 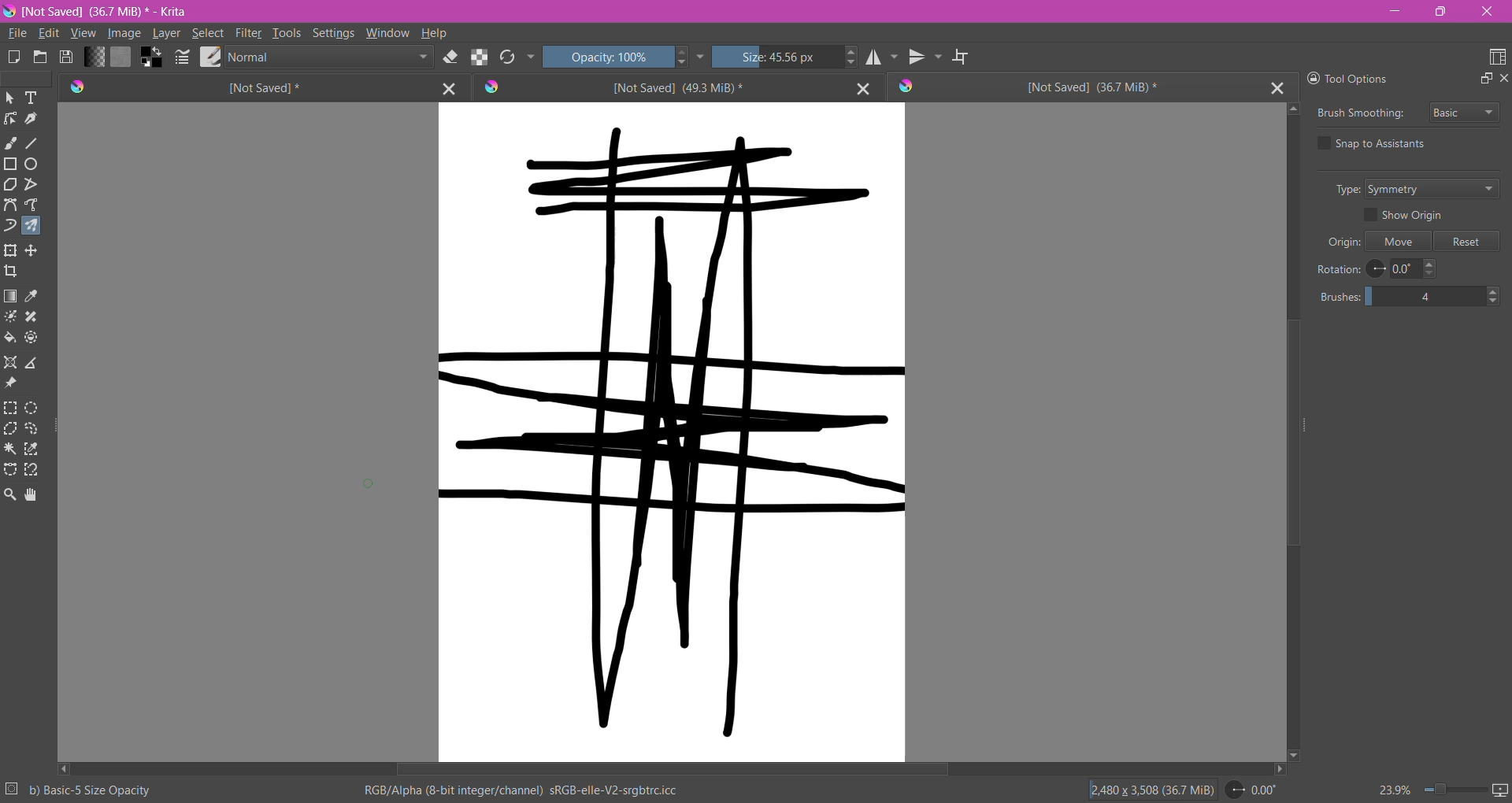 What do you see at coordinates (11, 119) in the screenshot?
I see `Edit Shapes Tool` at bounding box center [11, 119].